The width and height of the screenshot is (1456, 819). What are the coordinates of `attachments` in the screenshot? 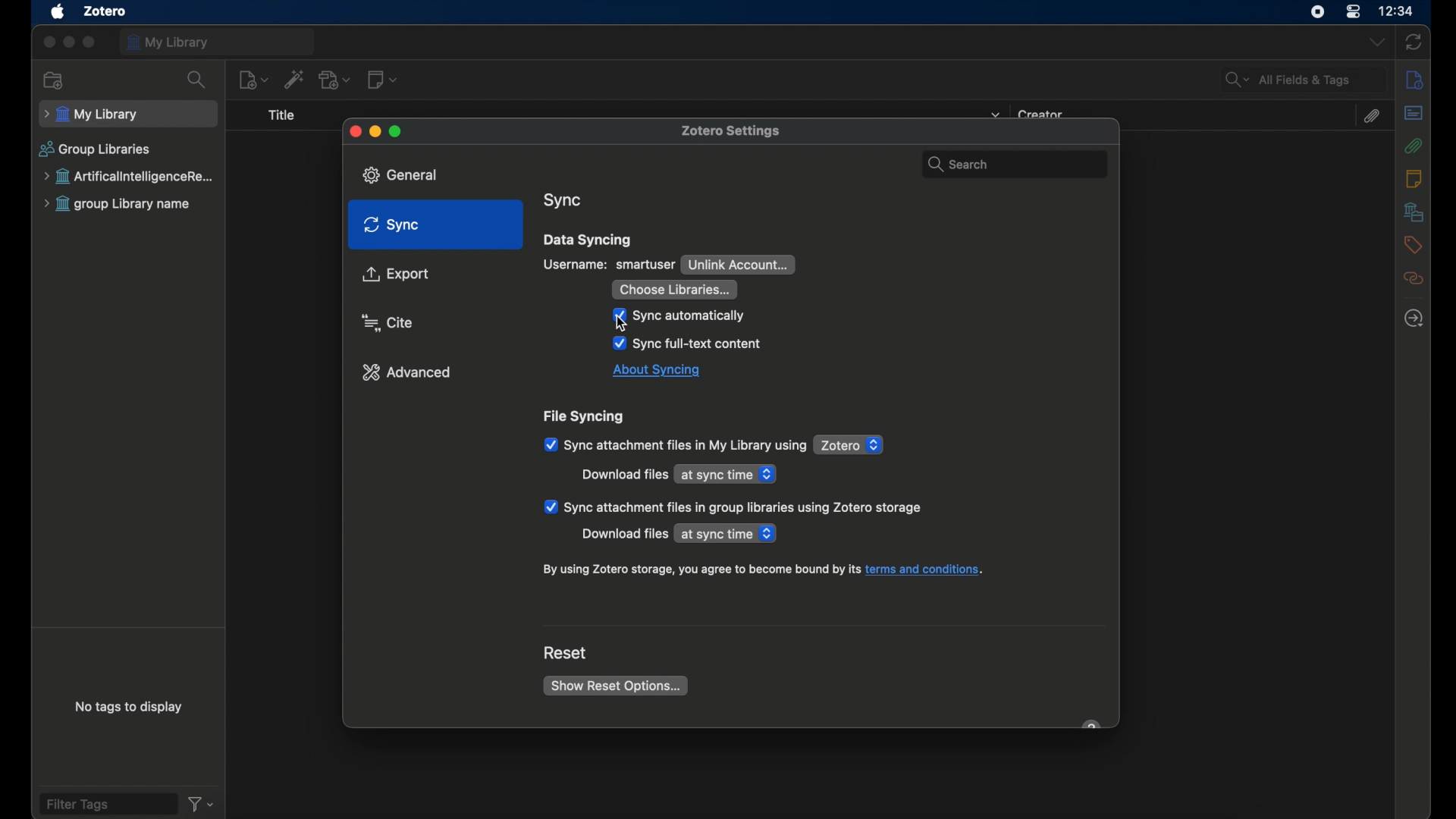 It's located at (1413, 146).